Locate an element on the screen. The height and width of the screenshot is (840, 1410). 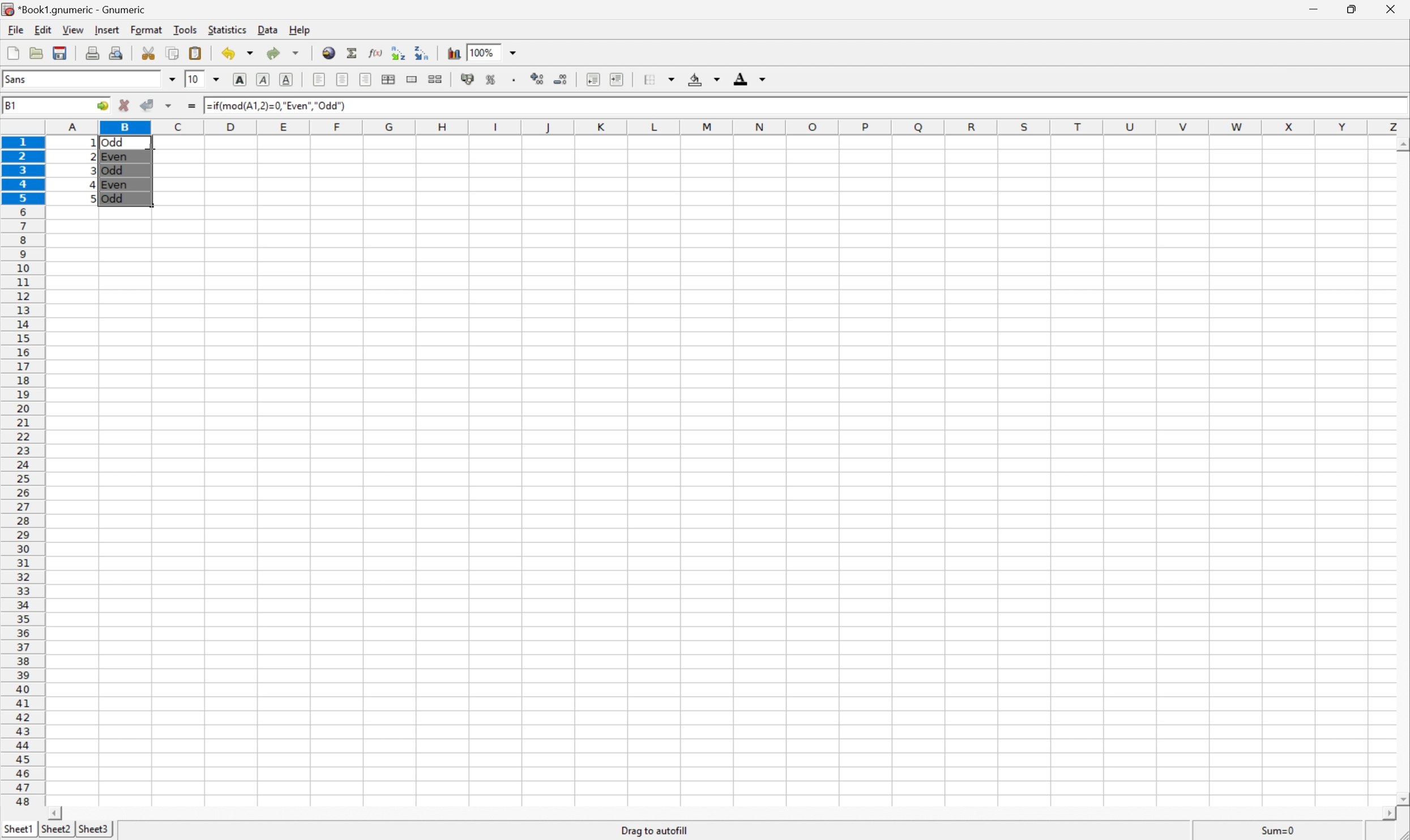
Paste clipboard is located at coordinates (195, 53).